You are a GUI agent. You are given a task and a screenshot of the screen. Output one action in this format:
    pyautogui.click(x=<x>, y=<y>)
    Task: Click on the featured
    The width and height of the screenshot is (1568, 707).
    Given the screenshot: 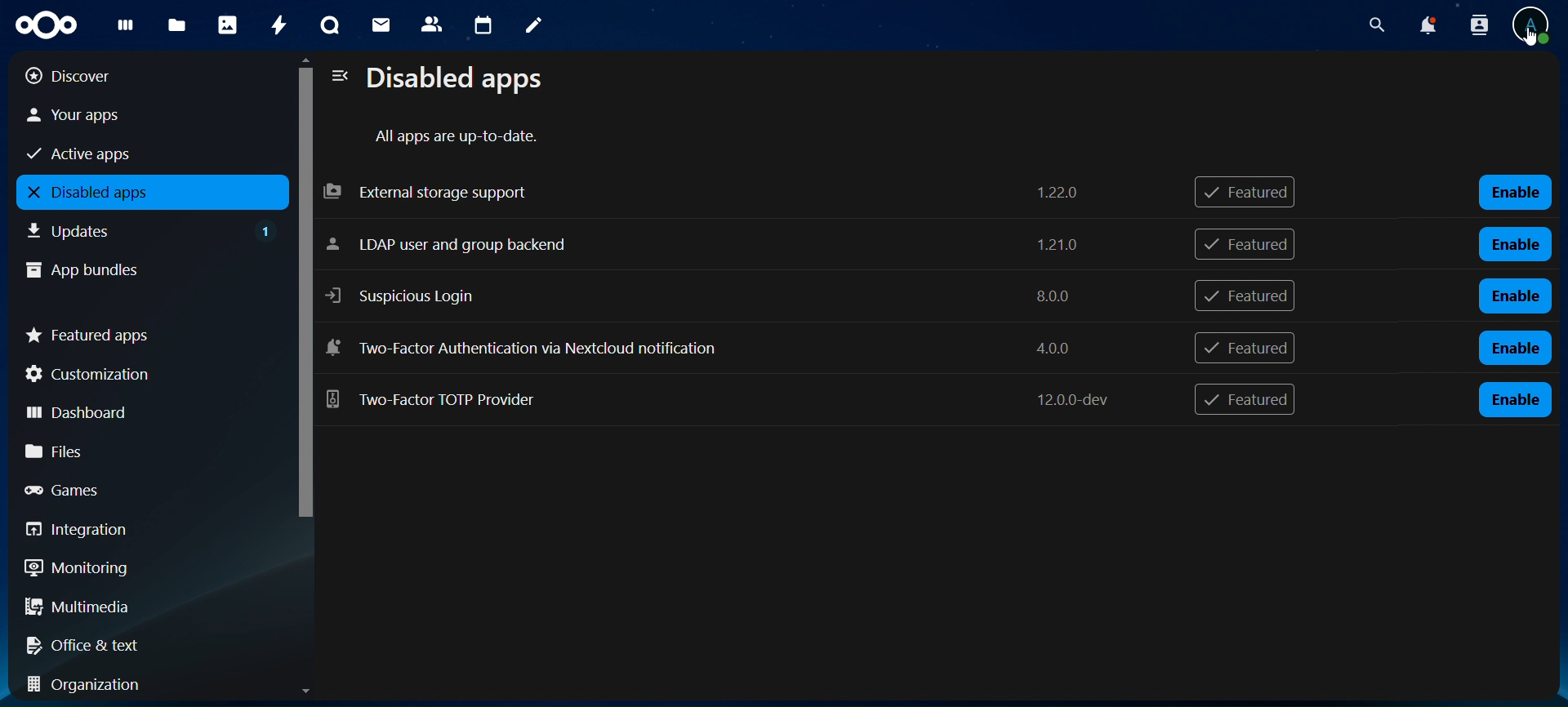 What is the action you would take?
    pyautogui.click(x=1247, y=296)
    